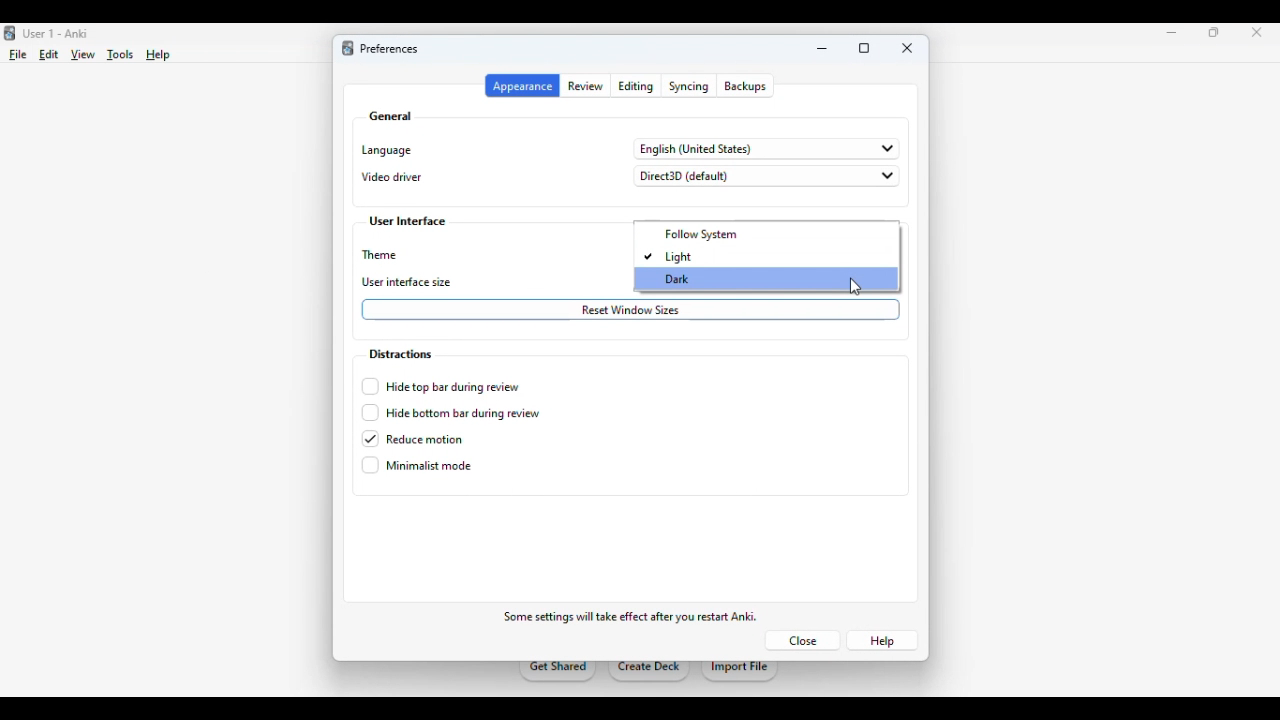 The height and width of the screenshot is (720, 1280). I want to click on tools, so click(122, 55).